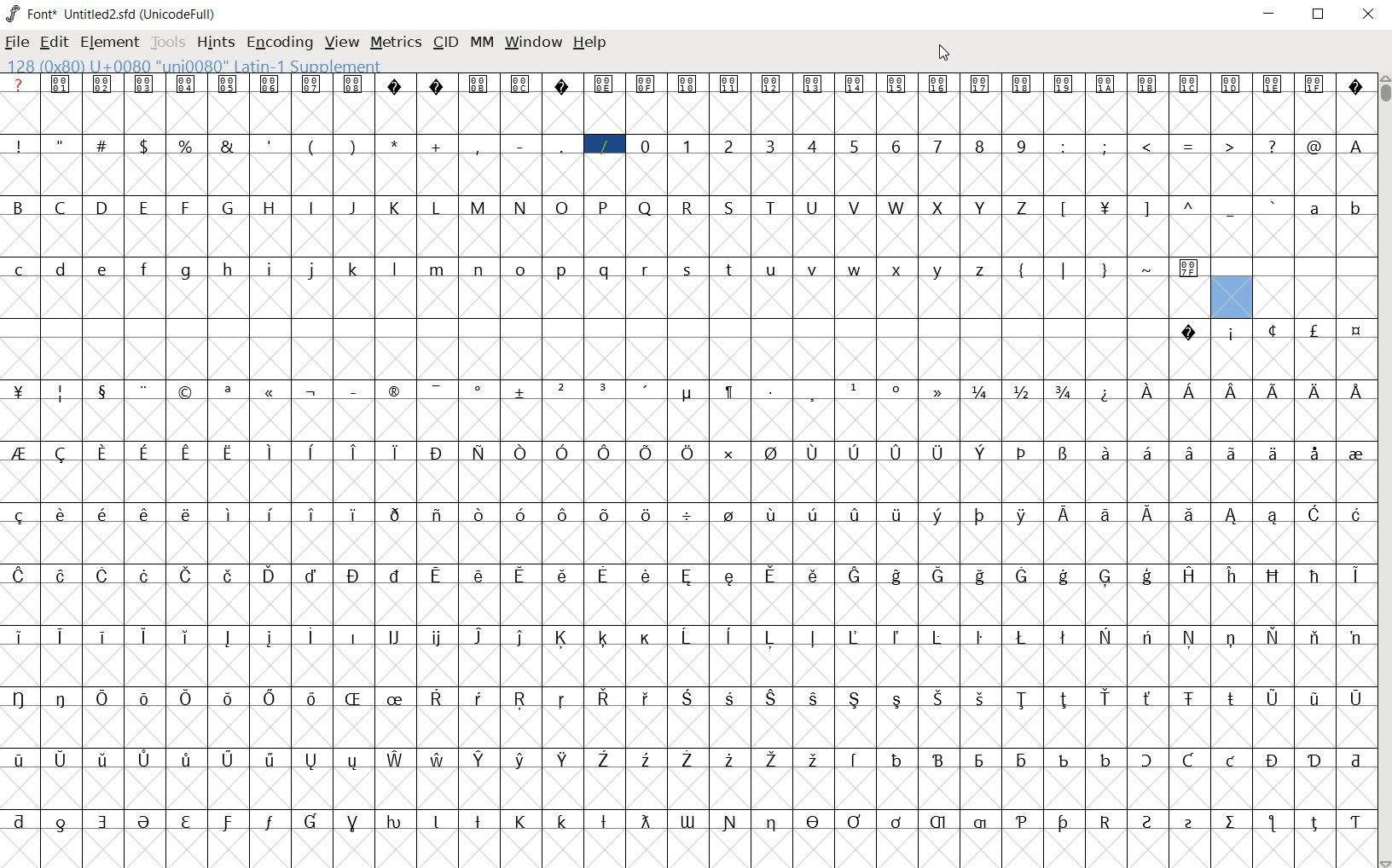 The width and height of the screenshot is (1392, 868). I want to click on glyph, so click(519, 269).